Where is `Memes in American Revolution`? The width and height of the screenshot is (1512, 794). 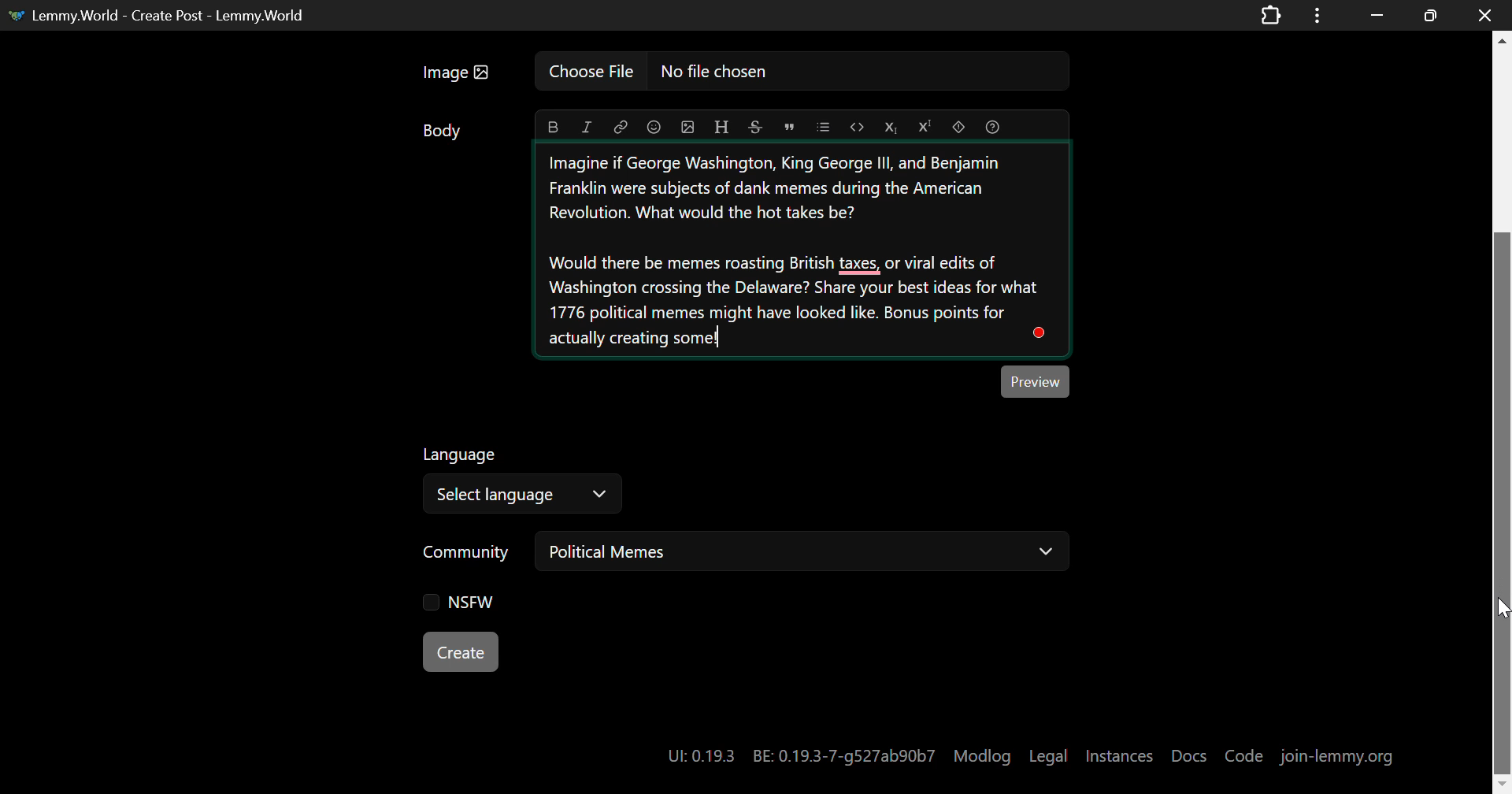 Memes in American Revolution is located at coordinates (802, 251).